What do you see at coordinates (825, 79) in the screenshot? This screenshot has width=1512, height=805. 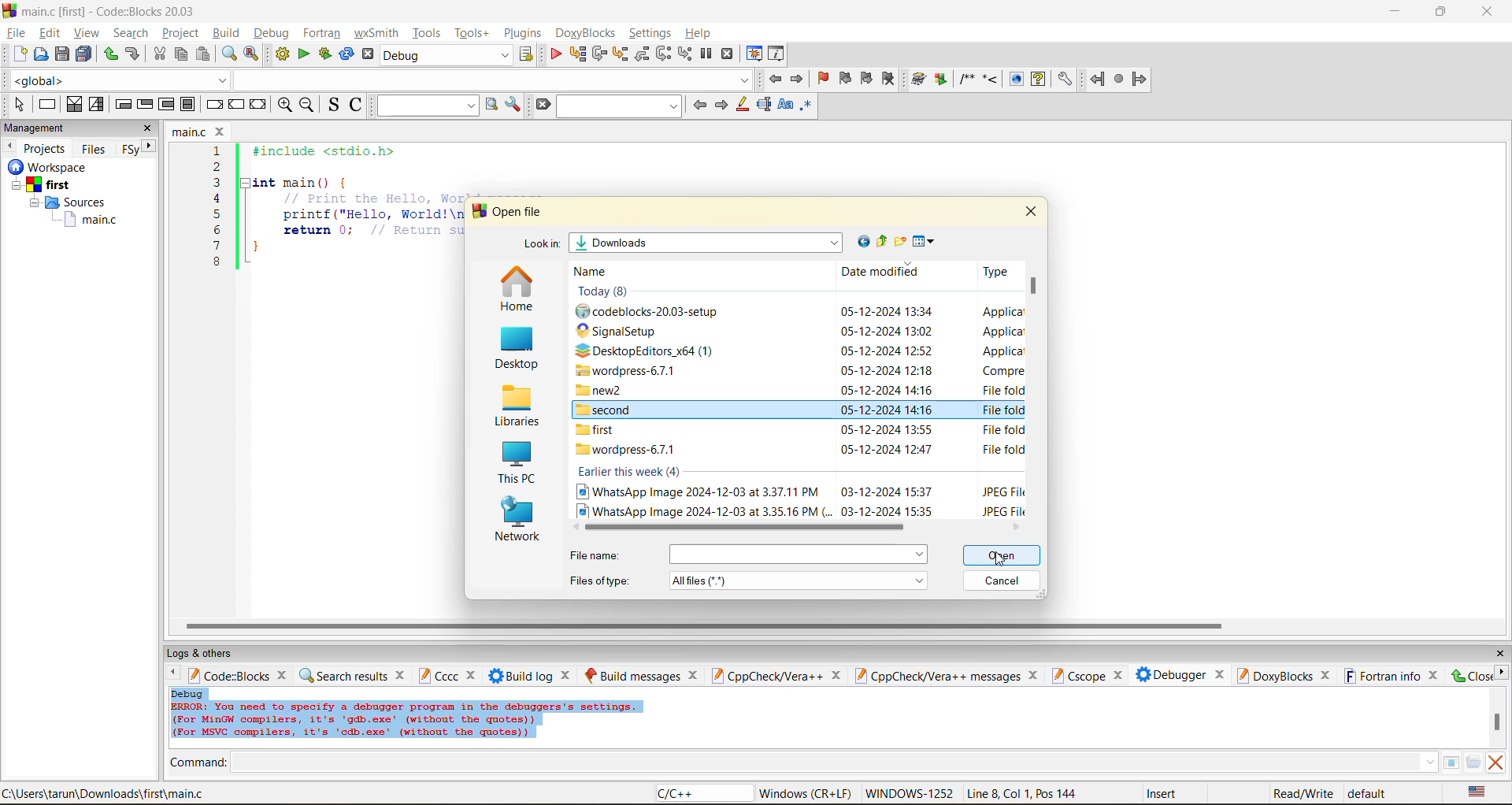 I see `toggle bookmark` at bounding box center [825, 79].